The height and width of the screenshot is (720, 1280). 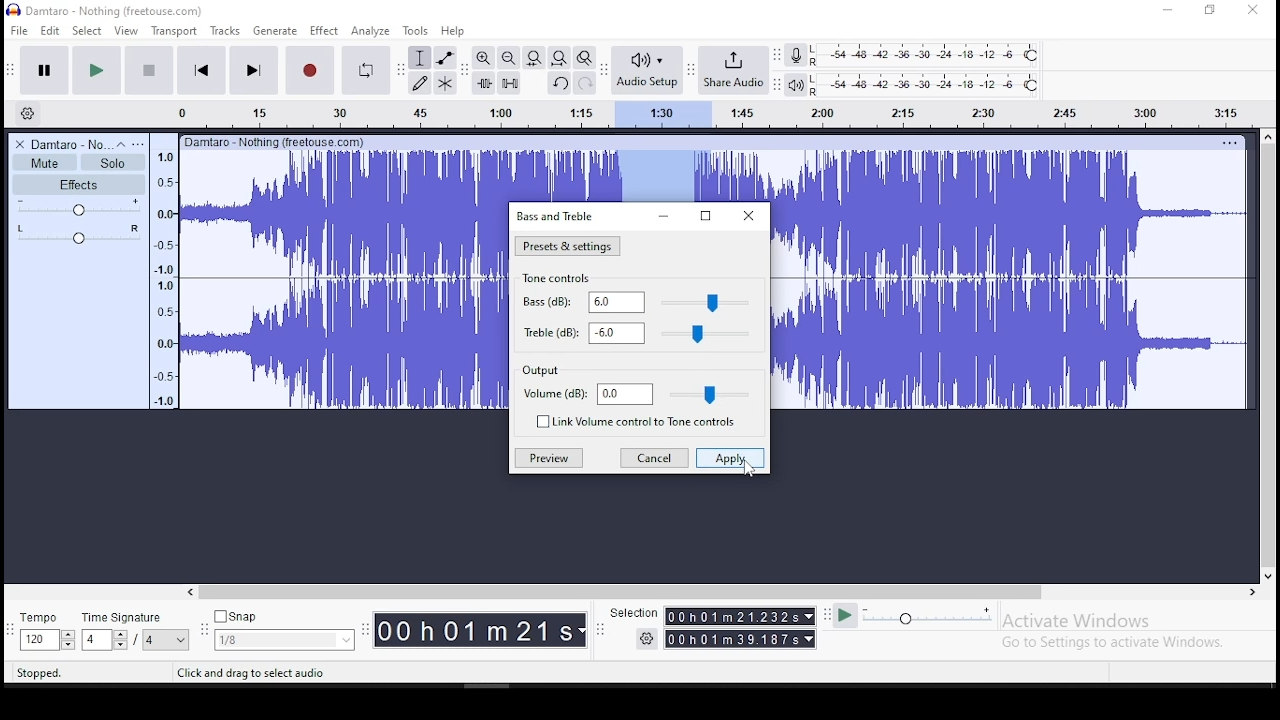 I want to click on record meter, so click(x=796, y=54).